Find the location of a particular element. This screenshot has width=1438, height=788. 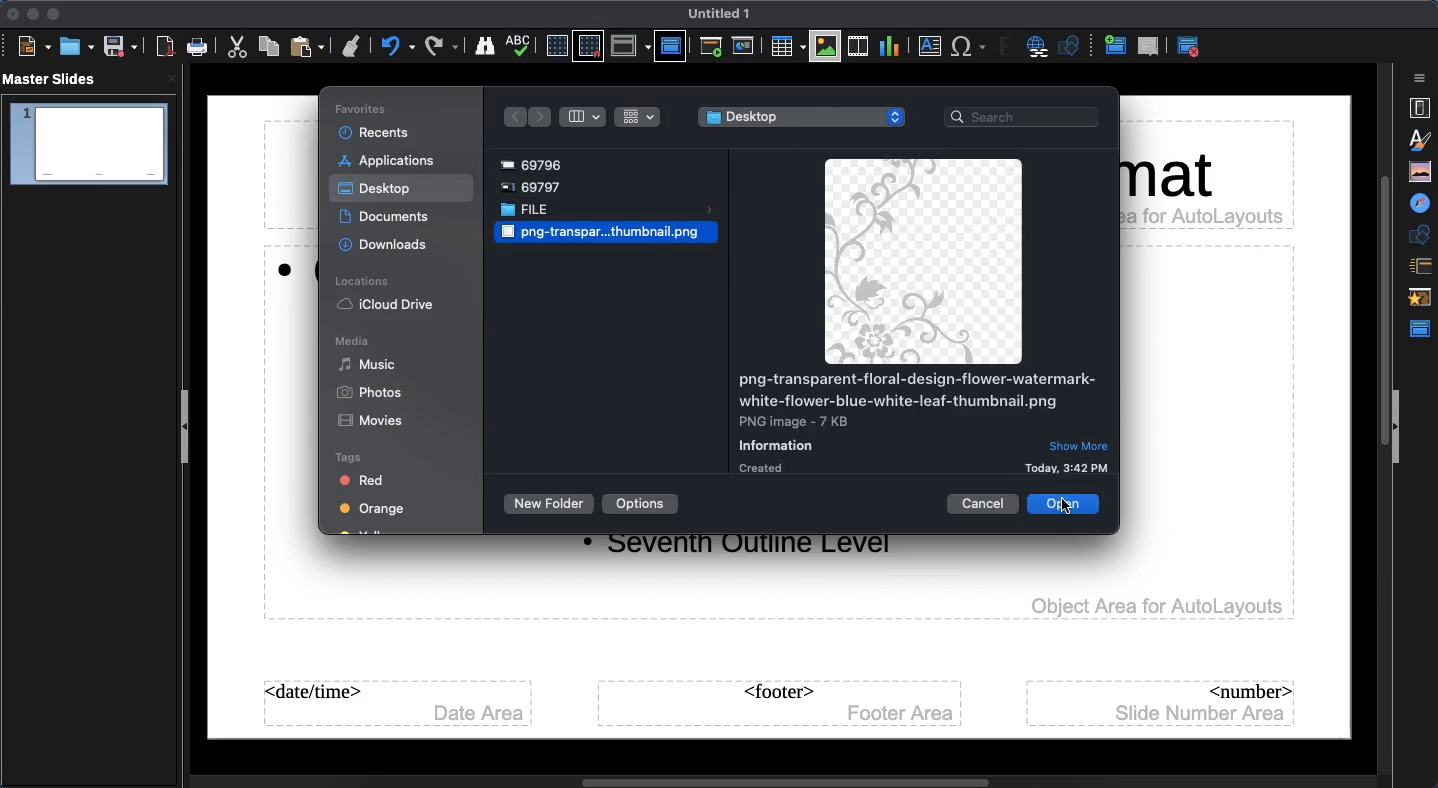

Collapse is located at coordinates (189, 429).